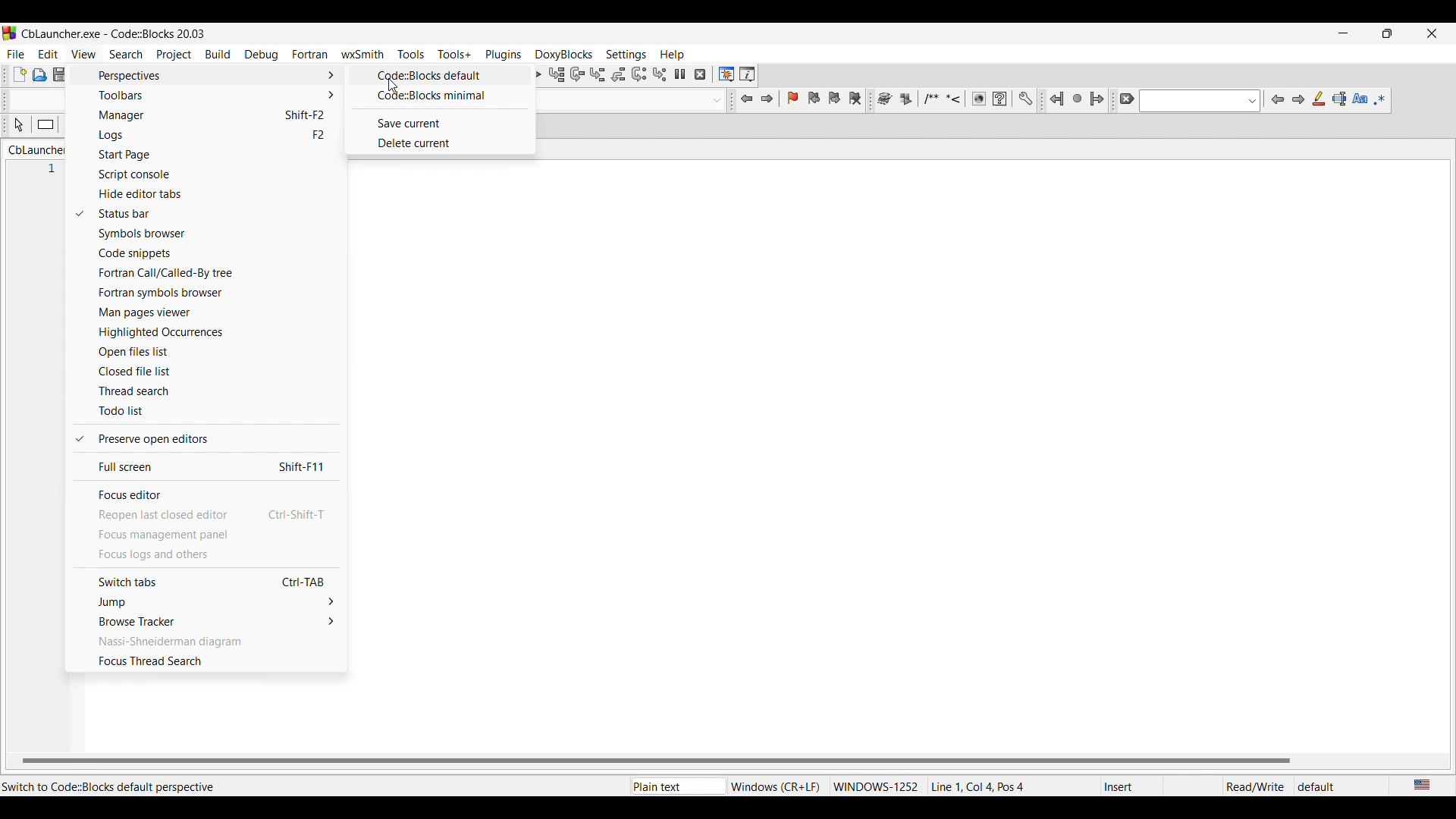 The height and width of the screenshot is (819, 1456). I want to click on Hide editor tabs, so click(220, 195).